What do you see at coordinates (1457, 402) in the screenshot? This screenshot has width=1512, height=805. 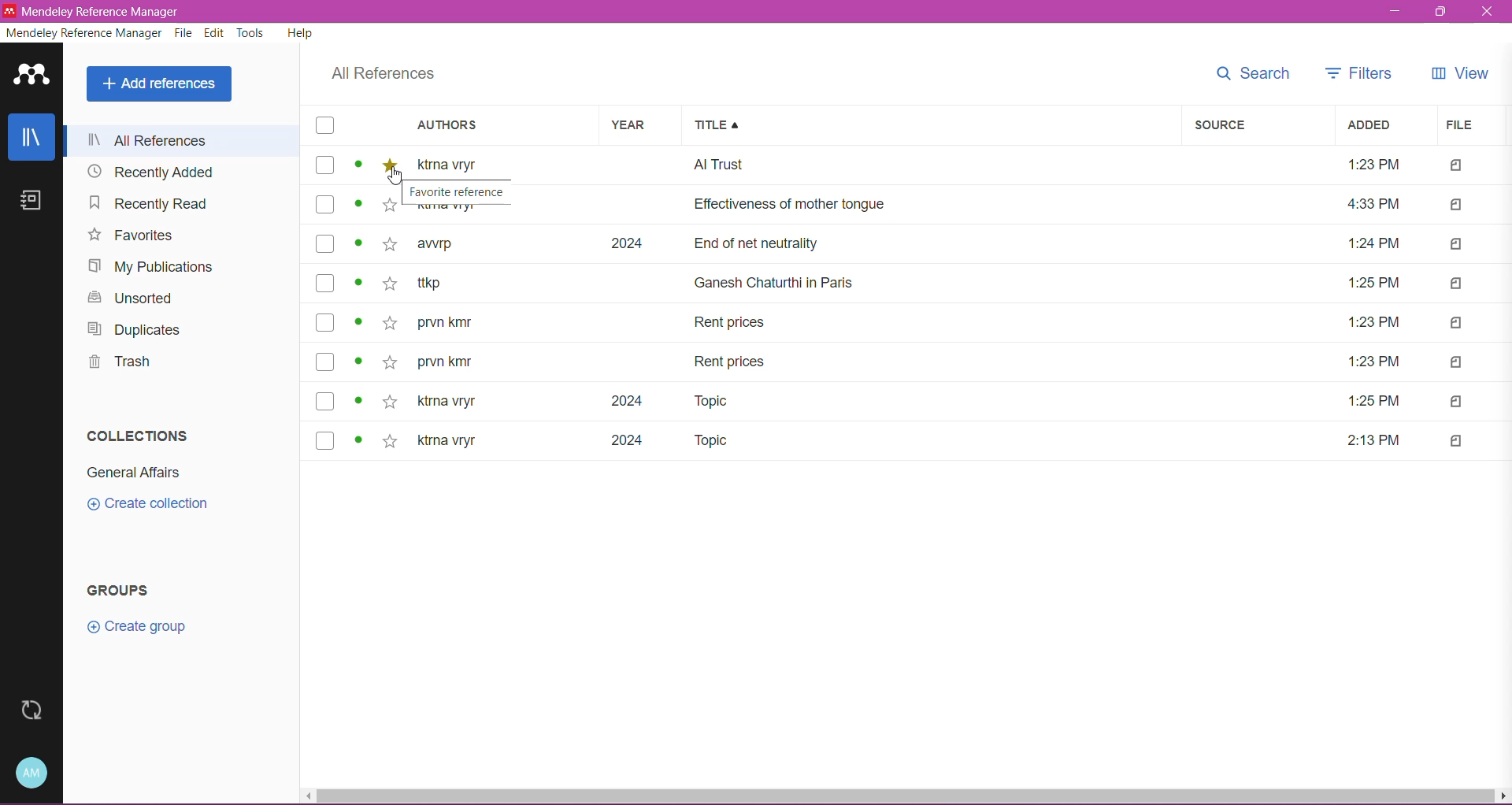 I see `Indicates file type` at bounding box center [1457, 402].